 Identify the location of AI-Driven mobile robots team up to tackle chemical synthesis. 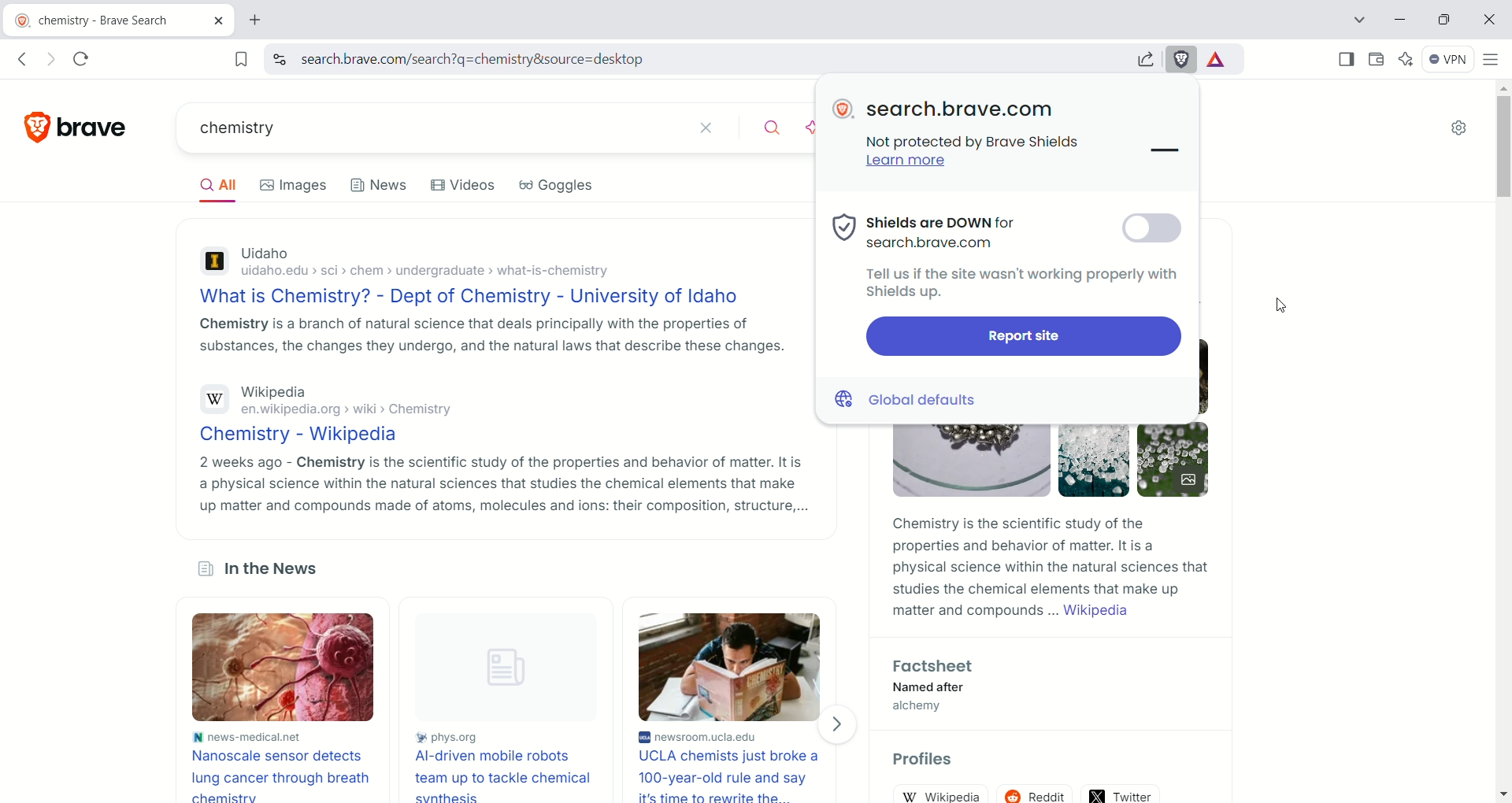
(502, 775).